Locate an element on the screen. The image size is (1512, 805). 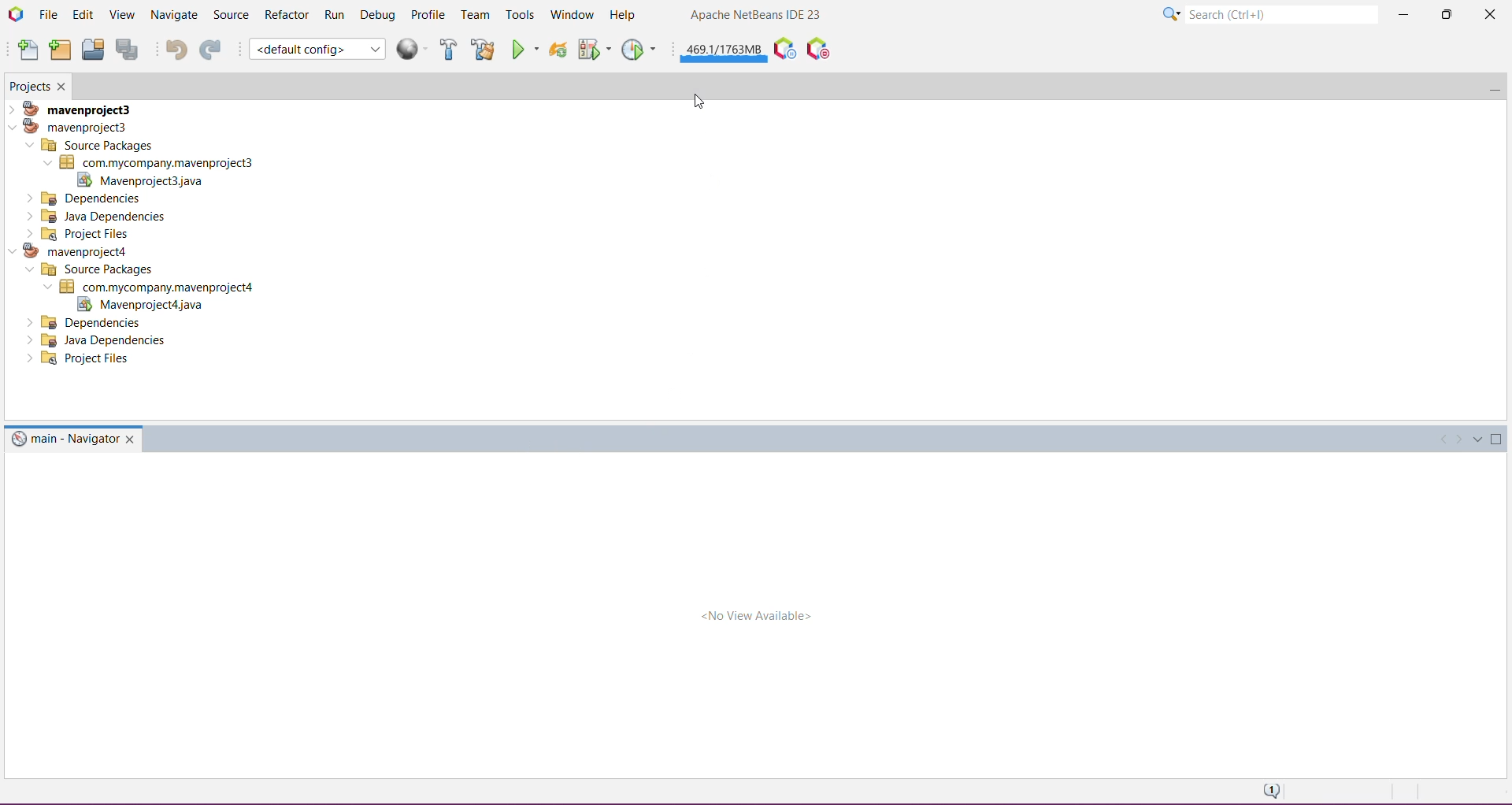
Save All is located at coordinates (128, 50).